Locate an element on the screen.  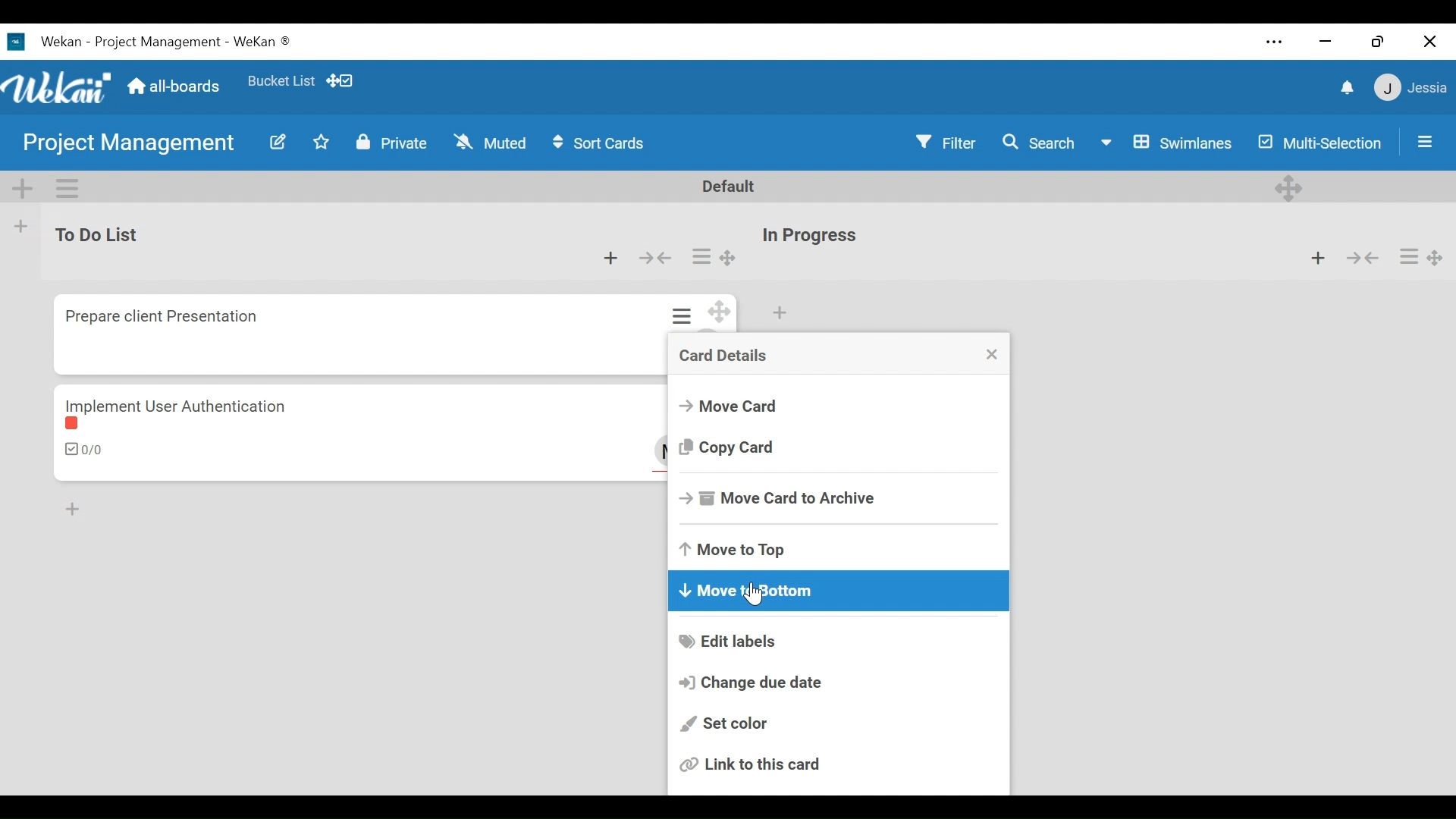
Home (all-boards) is located at coordinates (175, 86).